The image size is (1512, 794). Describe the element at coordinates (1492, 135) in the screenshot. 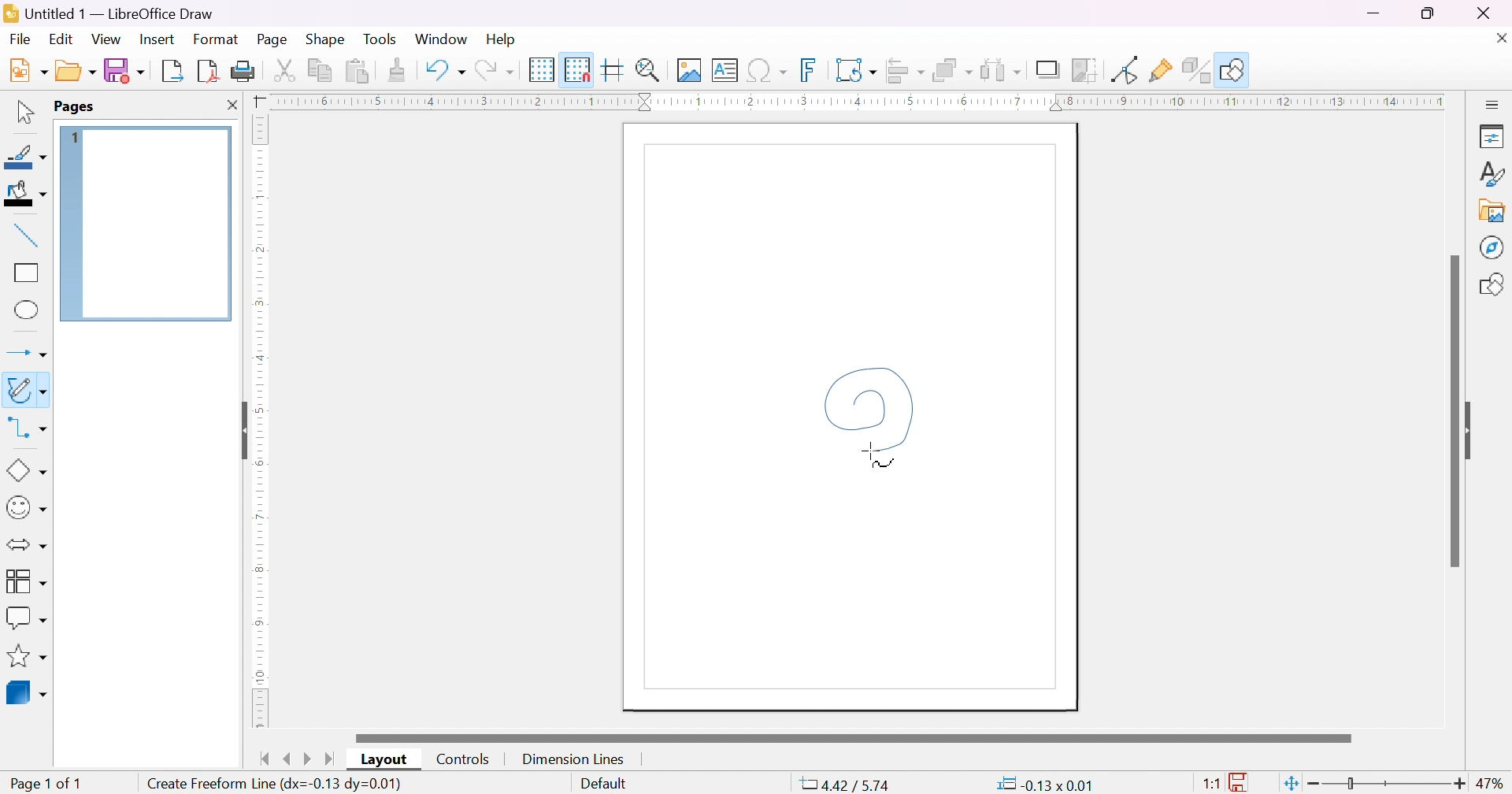

I see `properties` at that location.